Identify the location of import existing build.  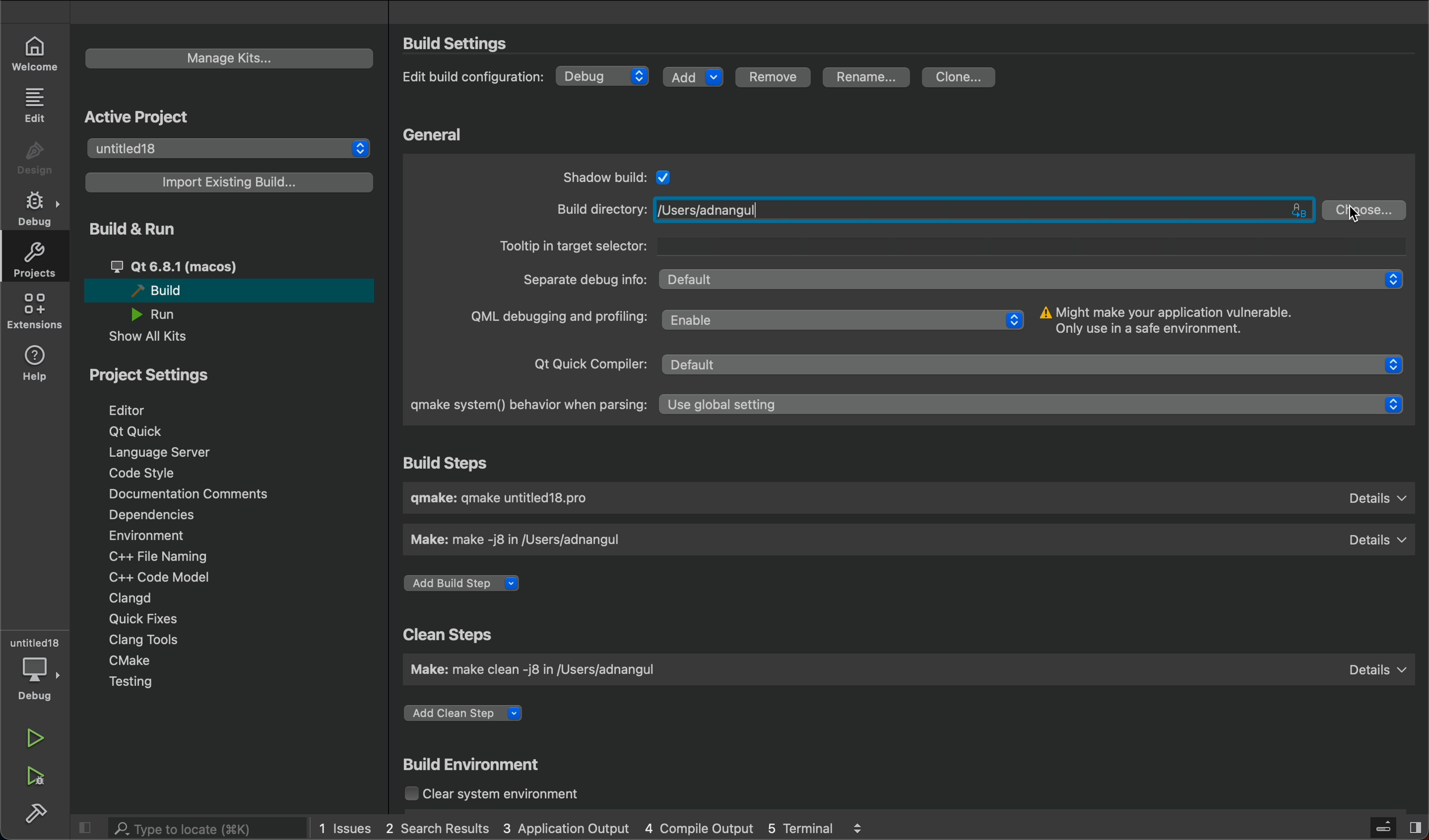
(231, 183).